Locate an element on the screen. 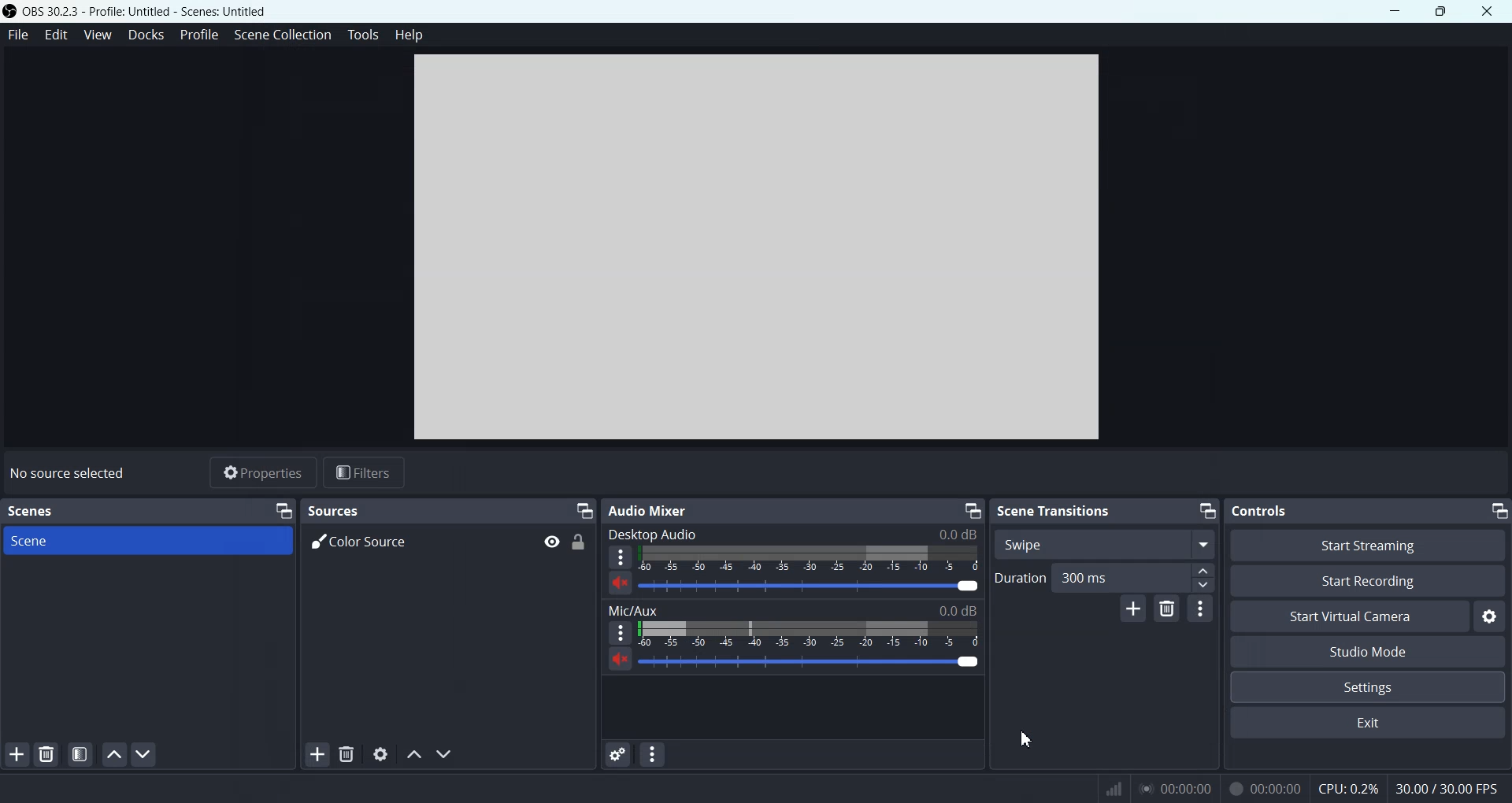 The height and width of the screenshot is (803, 1512). Lock is located at coordinates (580, 541).